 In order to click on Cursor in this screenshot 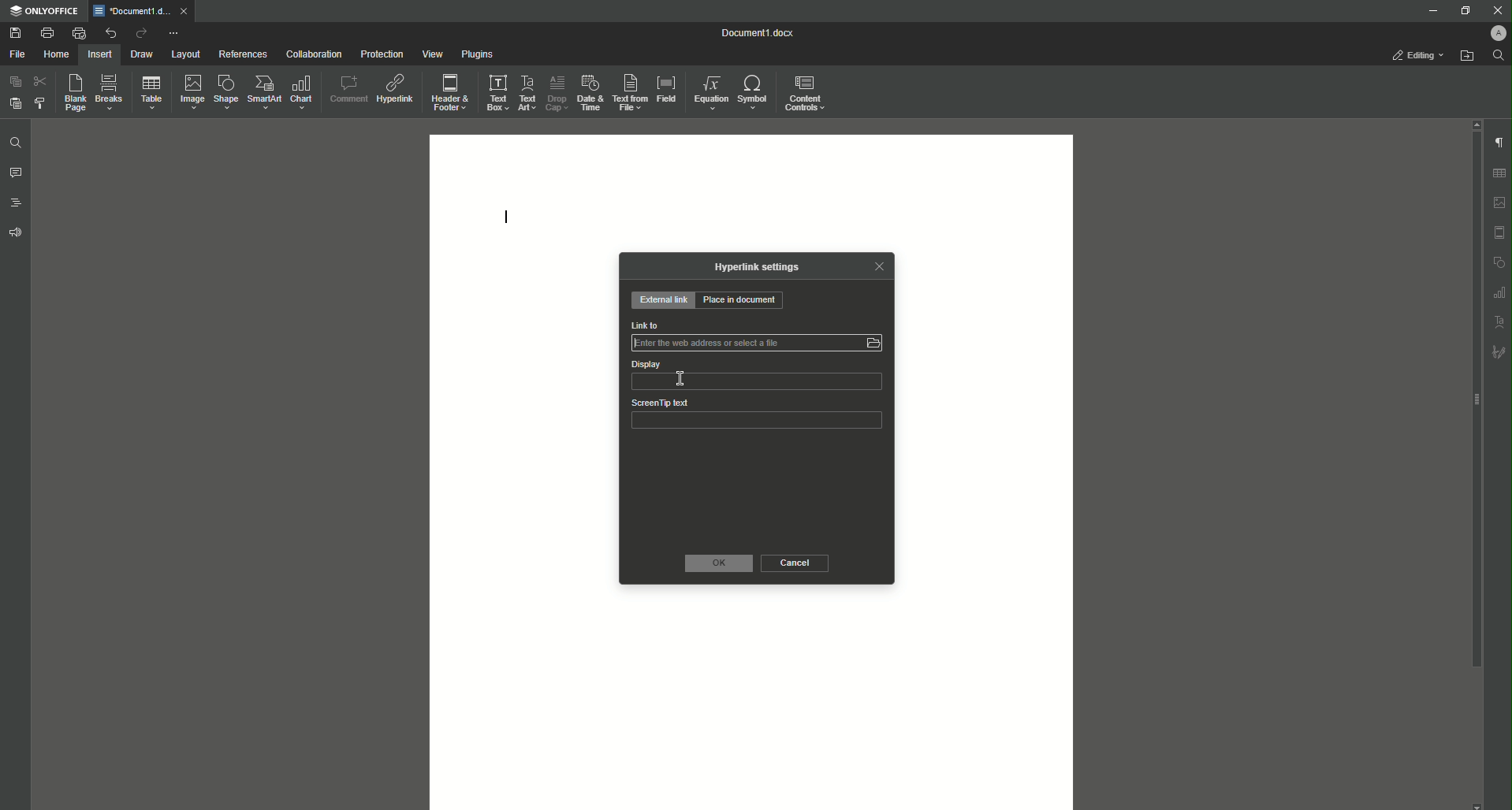, I will do `click(683, 377)`.